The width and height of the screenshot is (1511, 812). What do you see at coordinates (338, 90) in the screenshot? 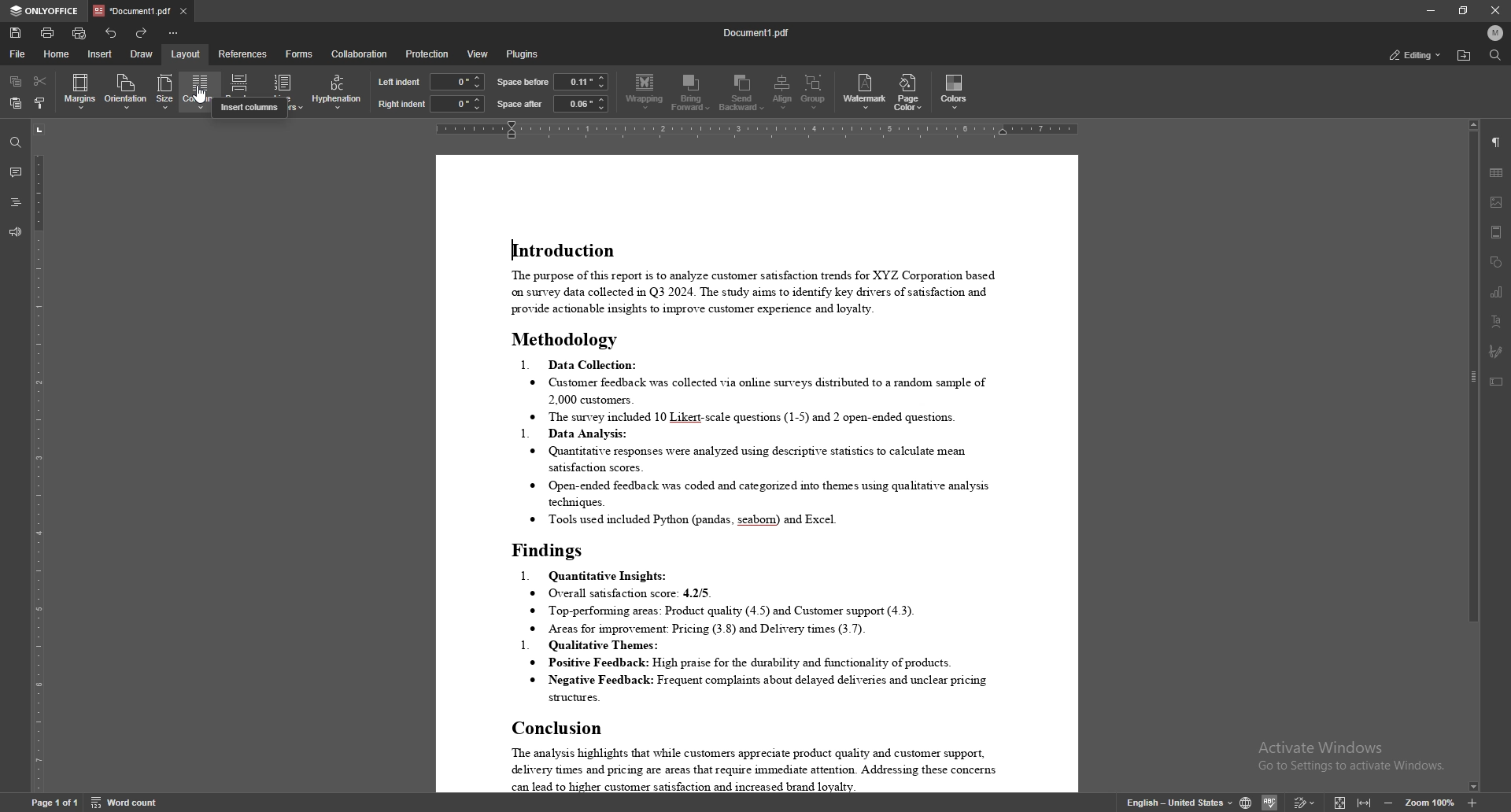
I see `hyphentation` at bounding box center [338, 90].